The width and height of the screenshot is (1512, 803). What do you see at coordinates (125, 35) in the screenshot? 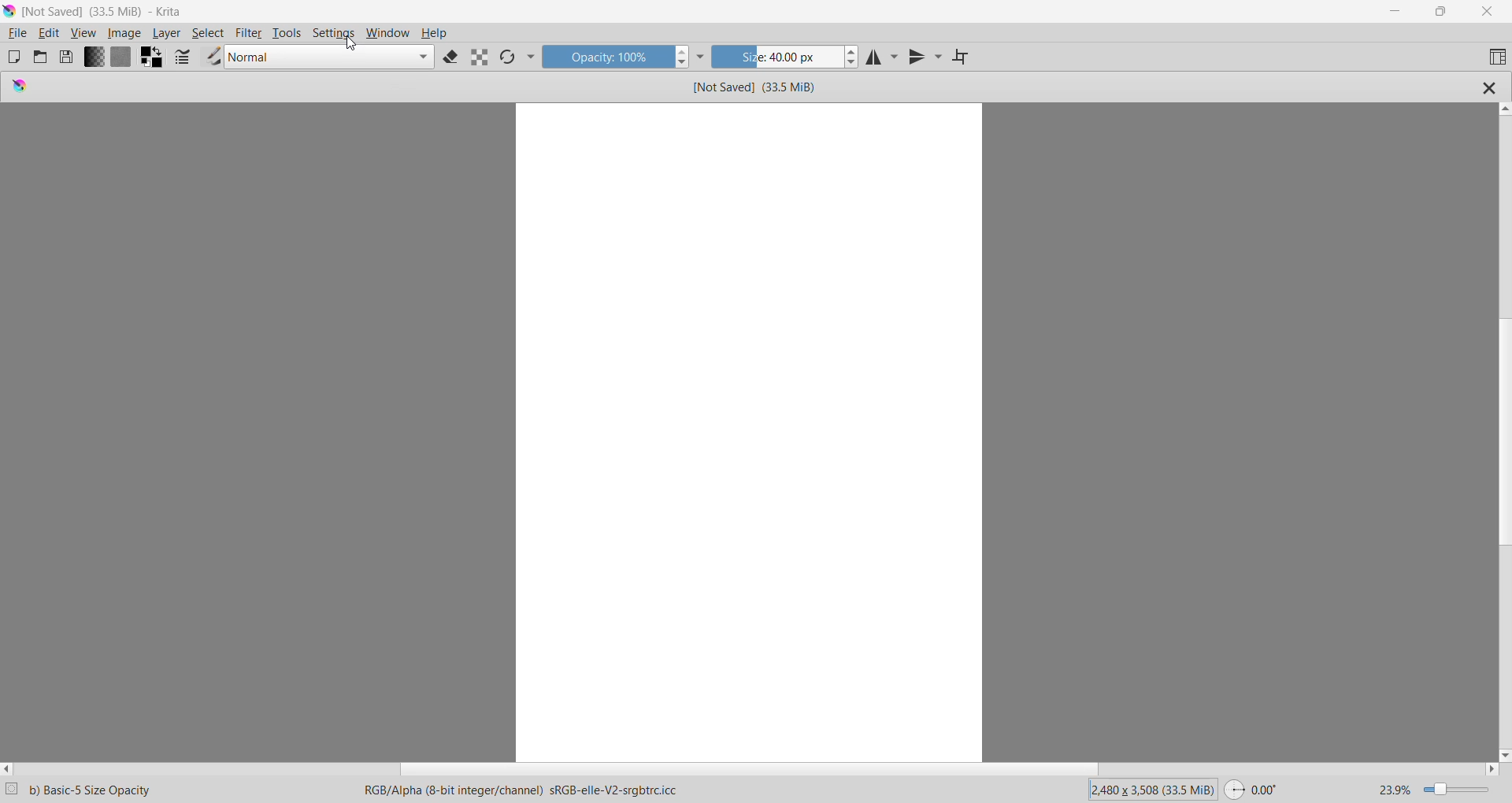
I see `Image` at bounding box center [125, 35].